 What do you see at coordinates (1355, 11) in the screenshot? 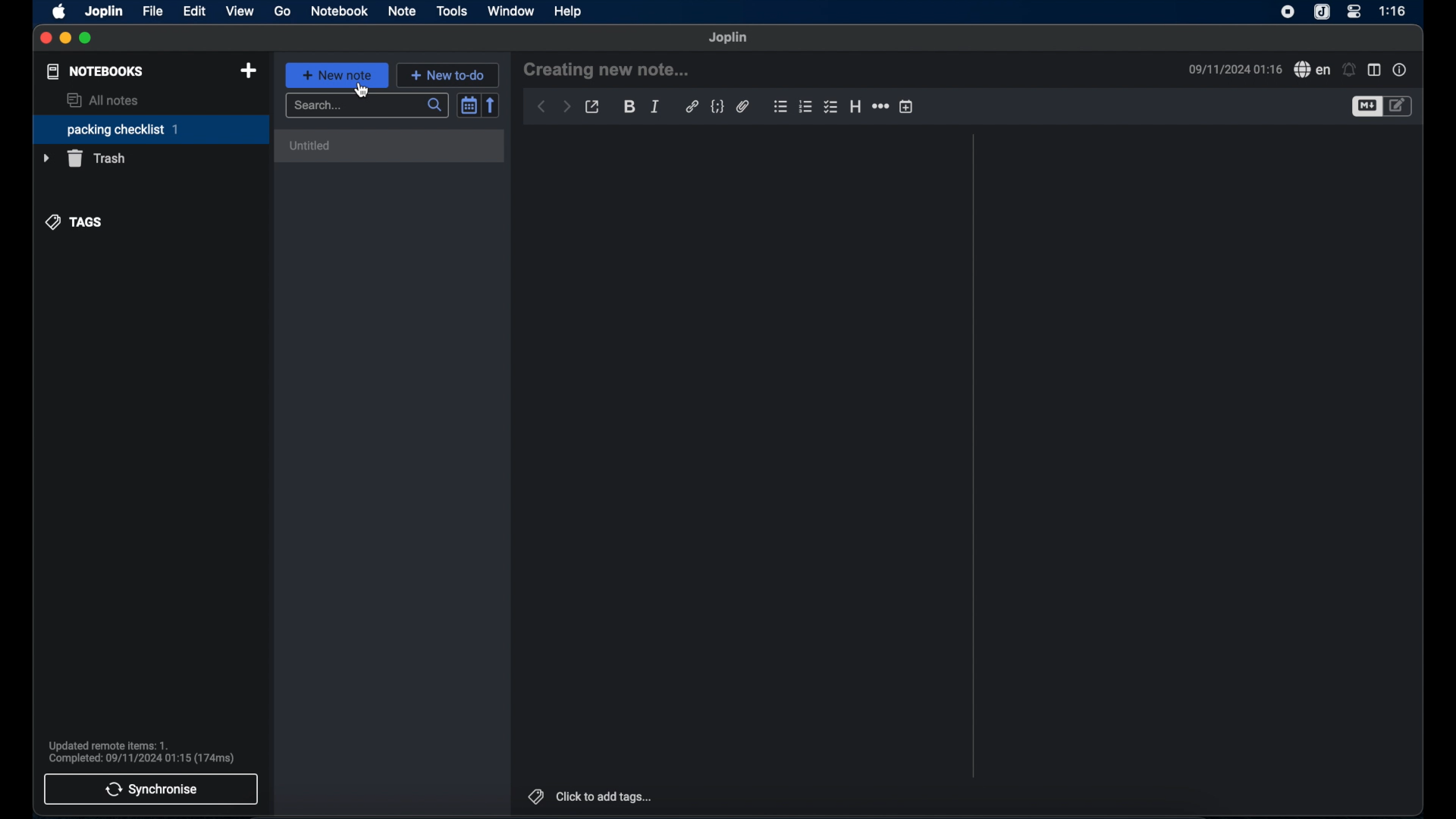
I see `control center` at bounding box center [1355, 11].